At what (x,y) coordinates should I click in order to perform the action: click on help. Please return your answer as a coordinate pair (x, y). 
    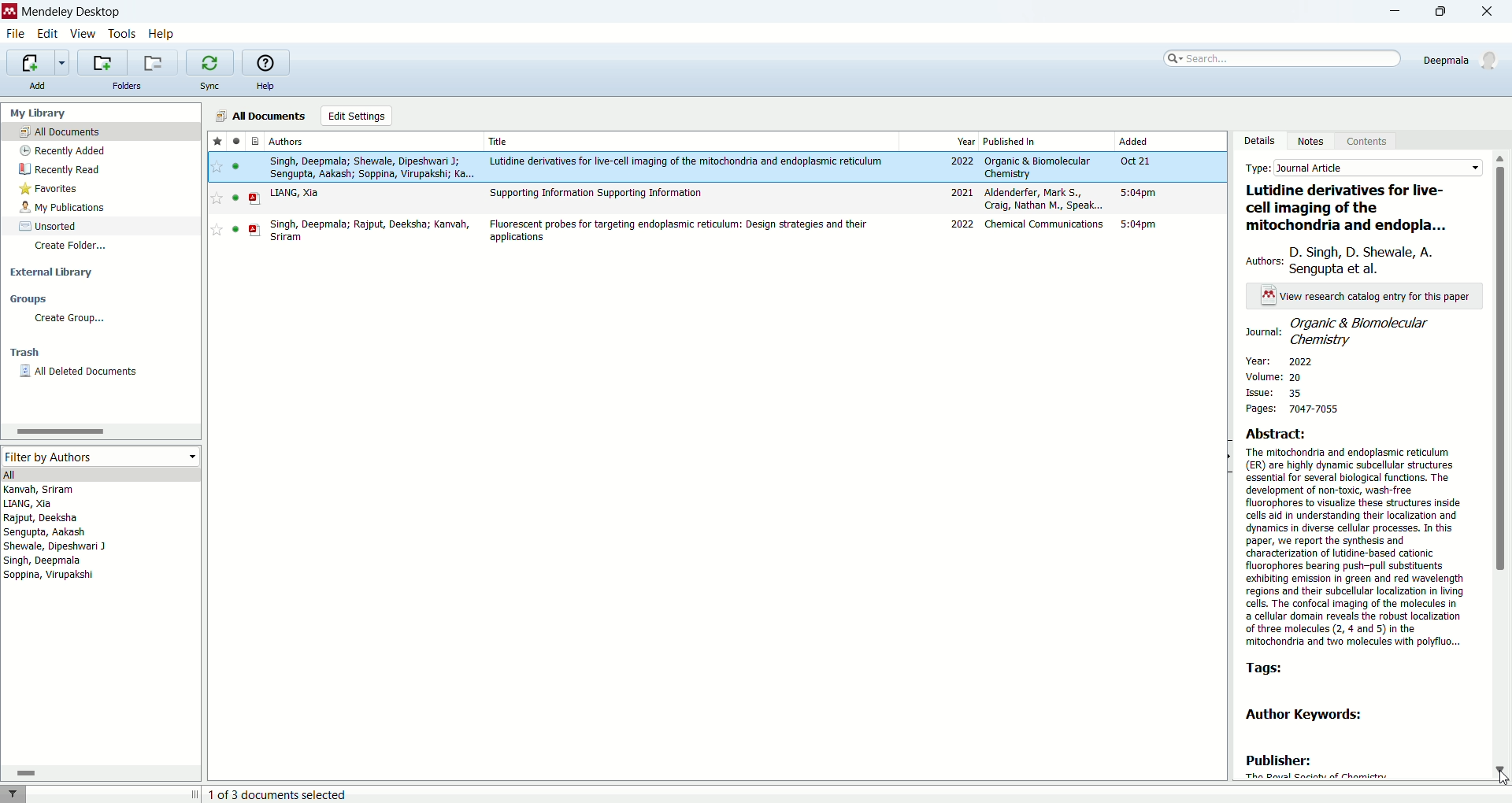
    Looking at the image, I should click on (161, 35).